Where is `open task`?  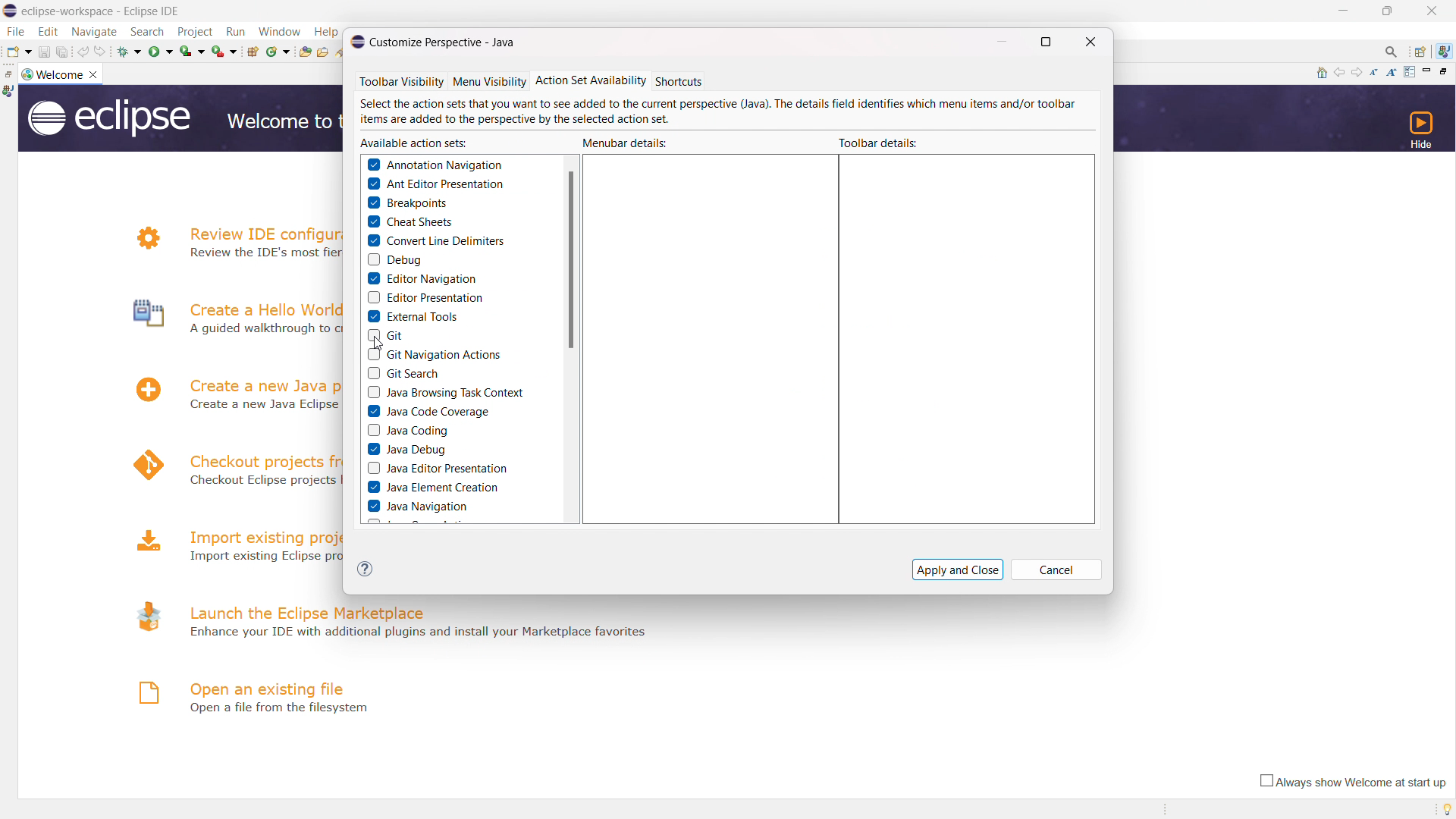 open task is located at coordinates (322, 52).